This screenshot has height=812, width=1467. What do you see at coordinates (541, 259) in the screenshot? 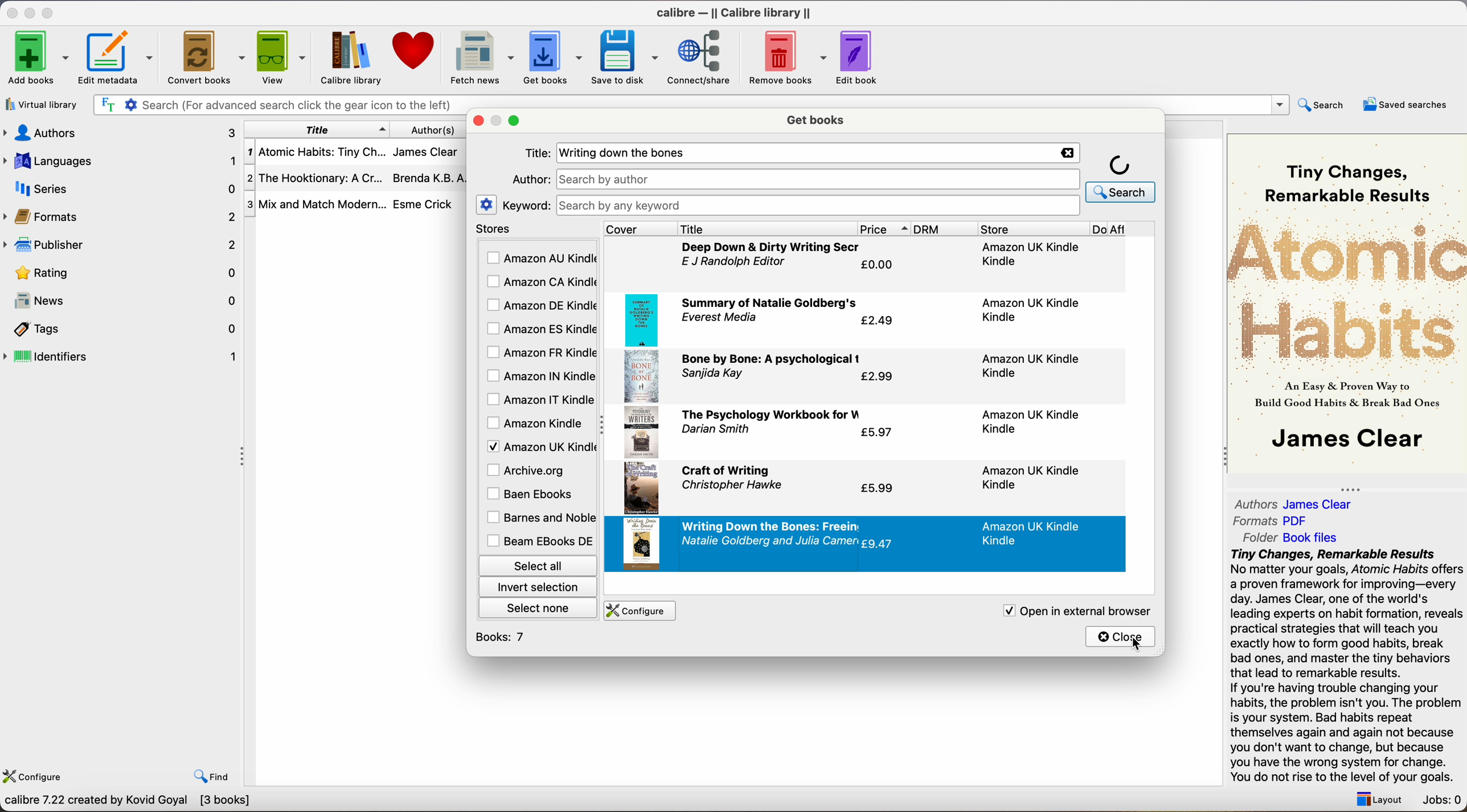
I see `amazon AU Kindle` at bounding box center [541, 259].